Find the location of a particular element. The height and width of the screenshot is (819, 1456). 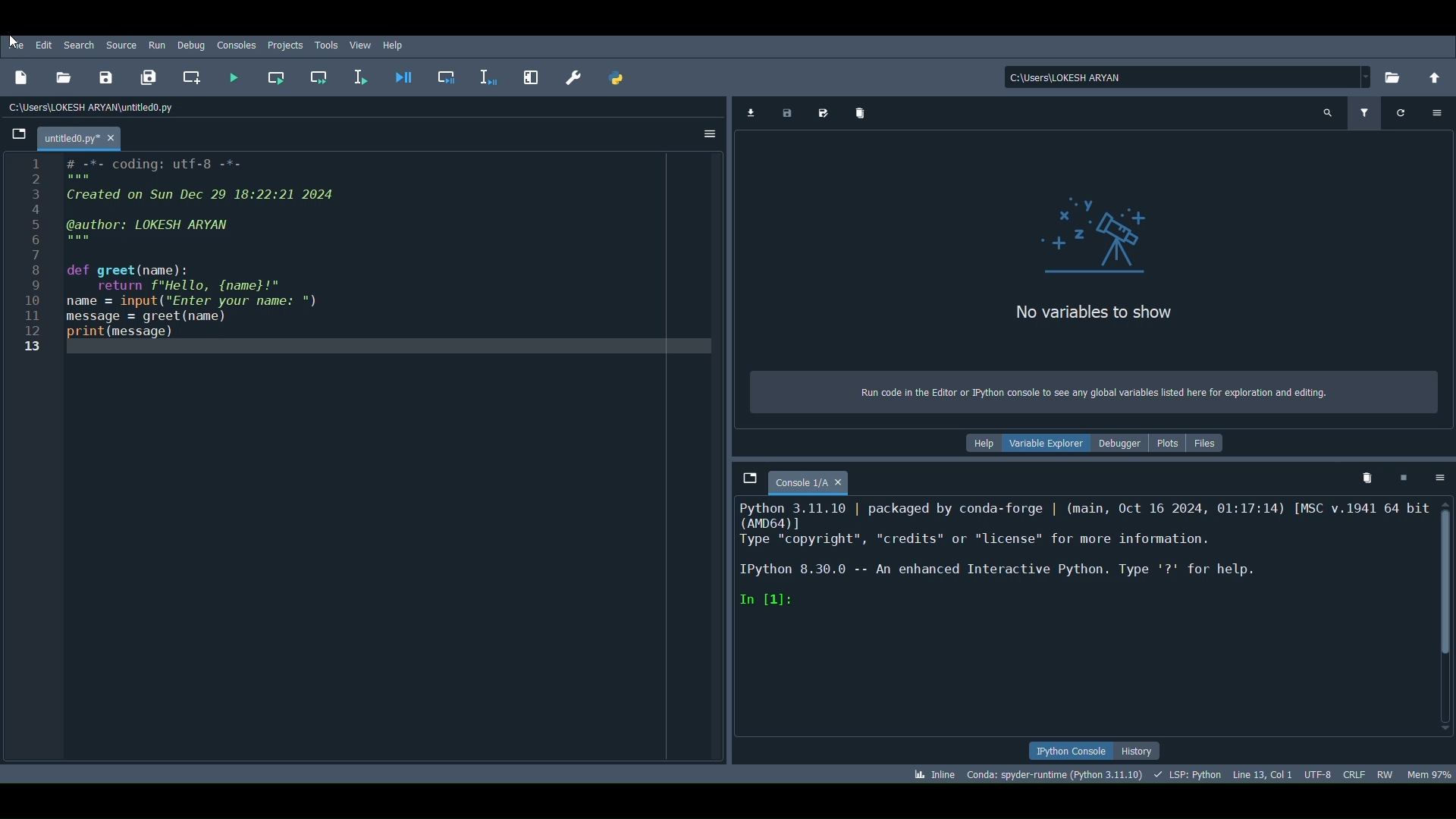

Edit is located at coordinates (44, 42).